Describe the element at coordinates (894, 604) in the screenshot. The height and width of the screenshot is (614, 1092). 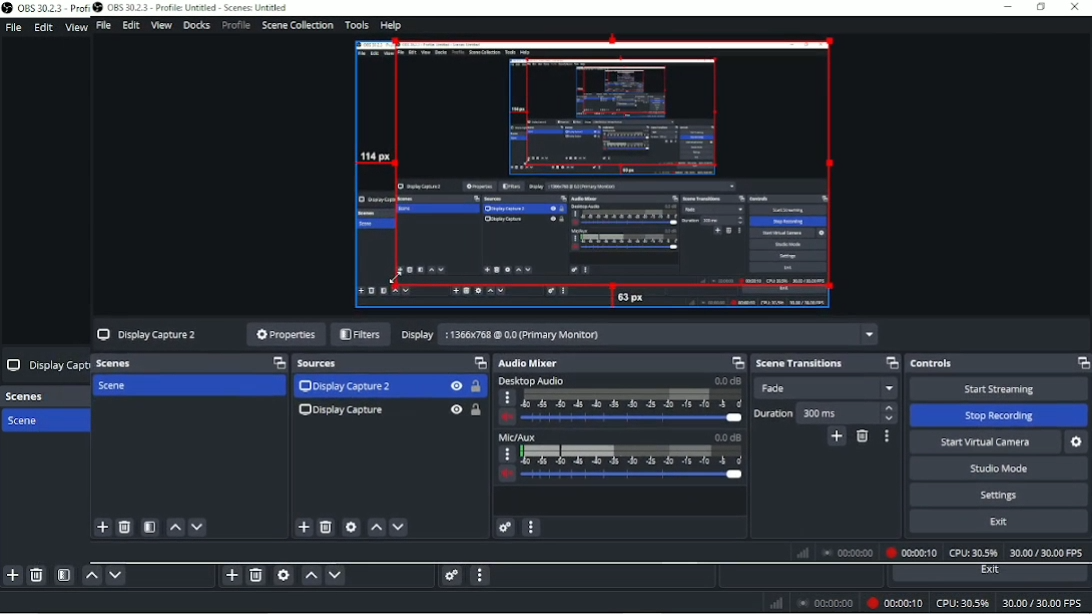
I see `Recording 00:00:10` at that location.